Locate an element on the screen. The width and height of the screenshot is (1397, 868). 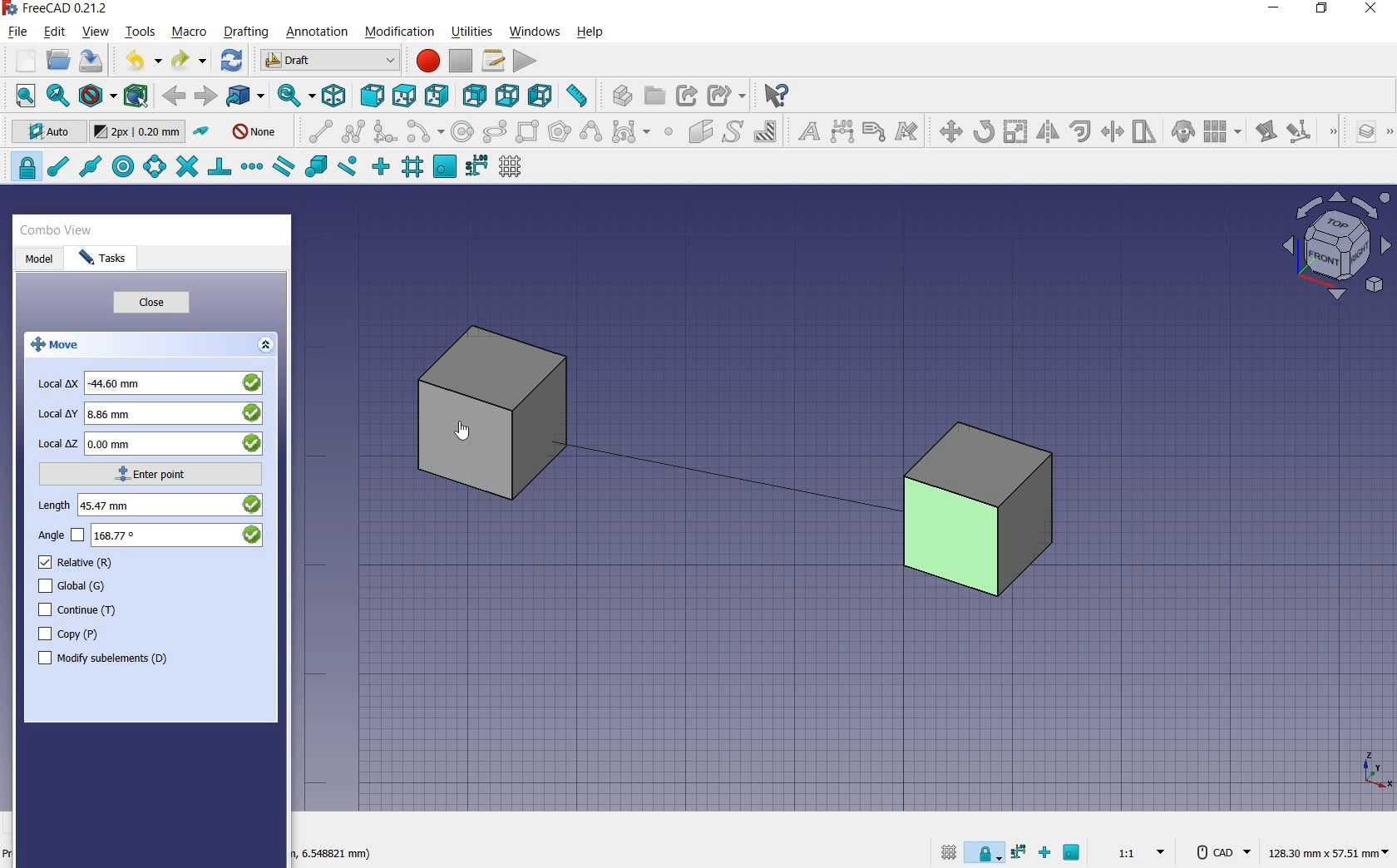
make link is located at coordinates (687, 95).